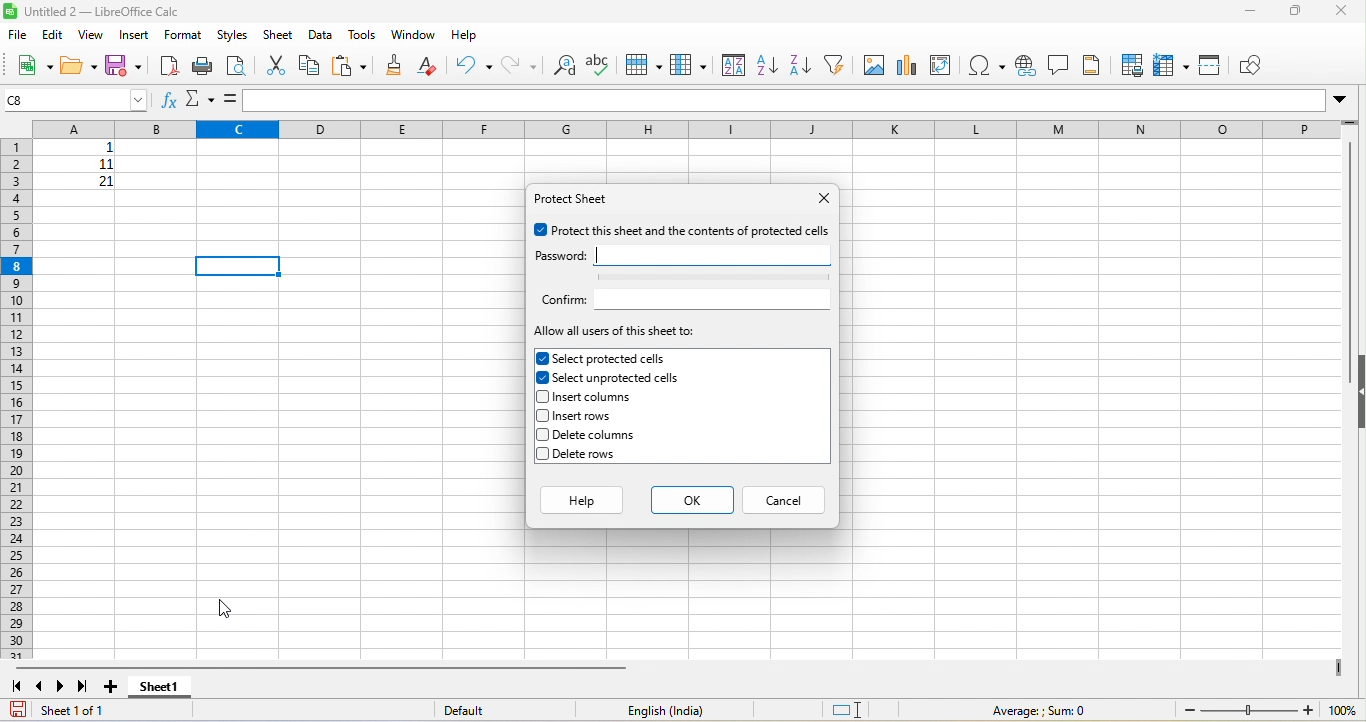  Describe the element at coordinates (847, 711) in the screenshot. I see `standard selection` at that location.